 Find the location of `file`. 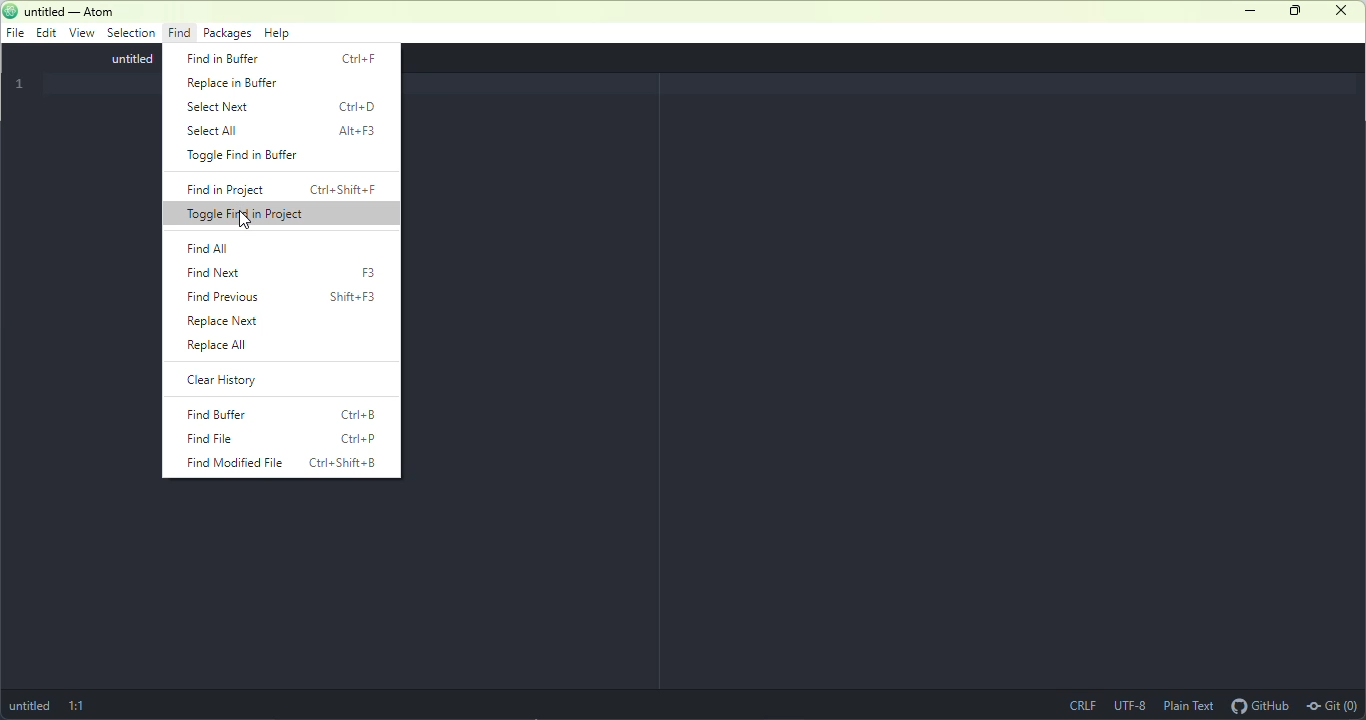

file is located at coordinates (15, 33).